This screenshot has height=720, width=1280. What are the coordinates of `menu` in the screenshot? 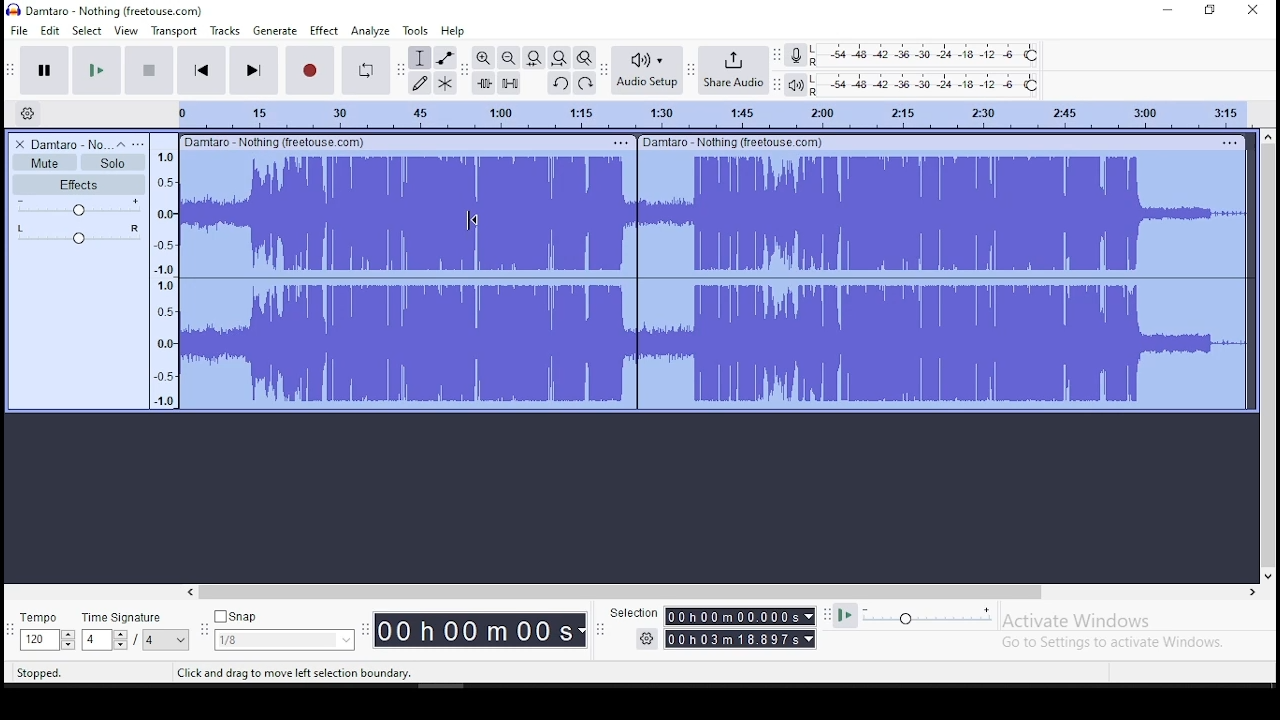 It's located at (166, 640).